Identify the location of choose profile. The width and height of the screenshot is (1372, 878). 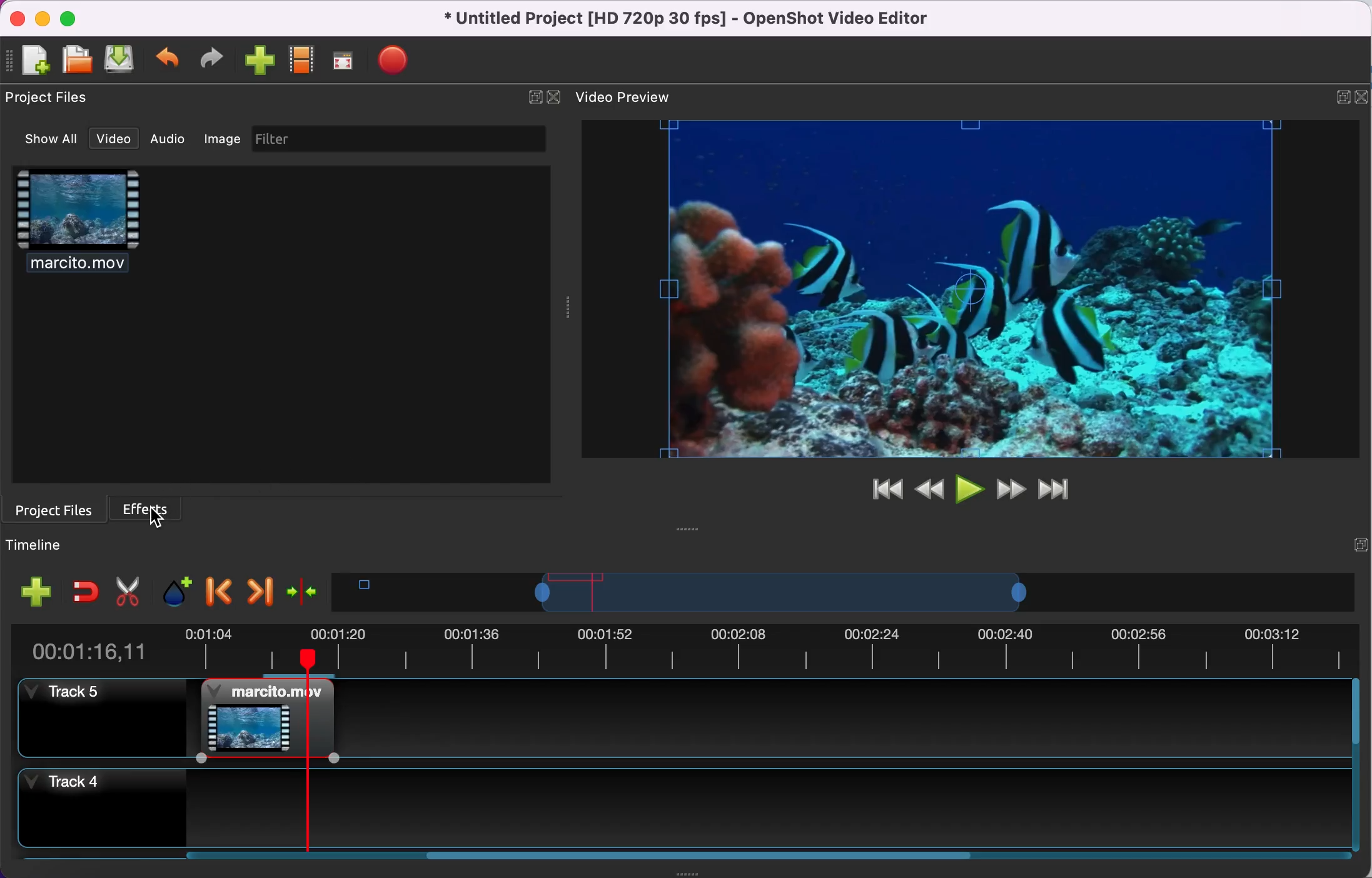
(301, 61).